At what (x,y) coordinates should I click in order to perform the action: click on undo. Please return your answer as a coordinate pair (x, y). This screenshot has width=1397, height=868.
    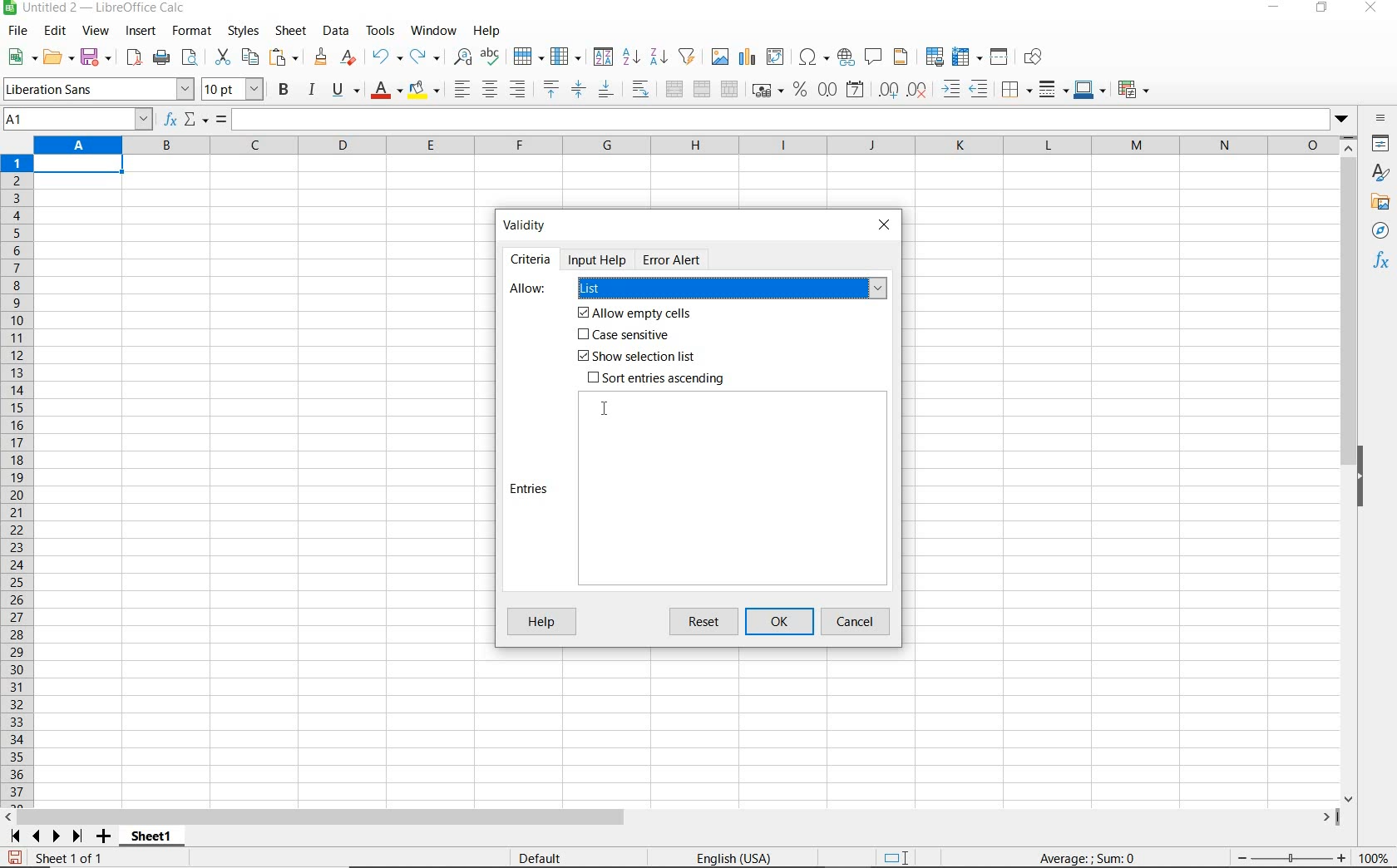
    Looking at the image, I should click on (386, 57).